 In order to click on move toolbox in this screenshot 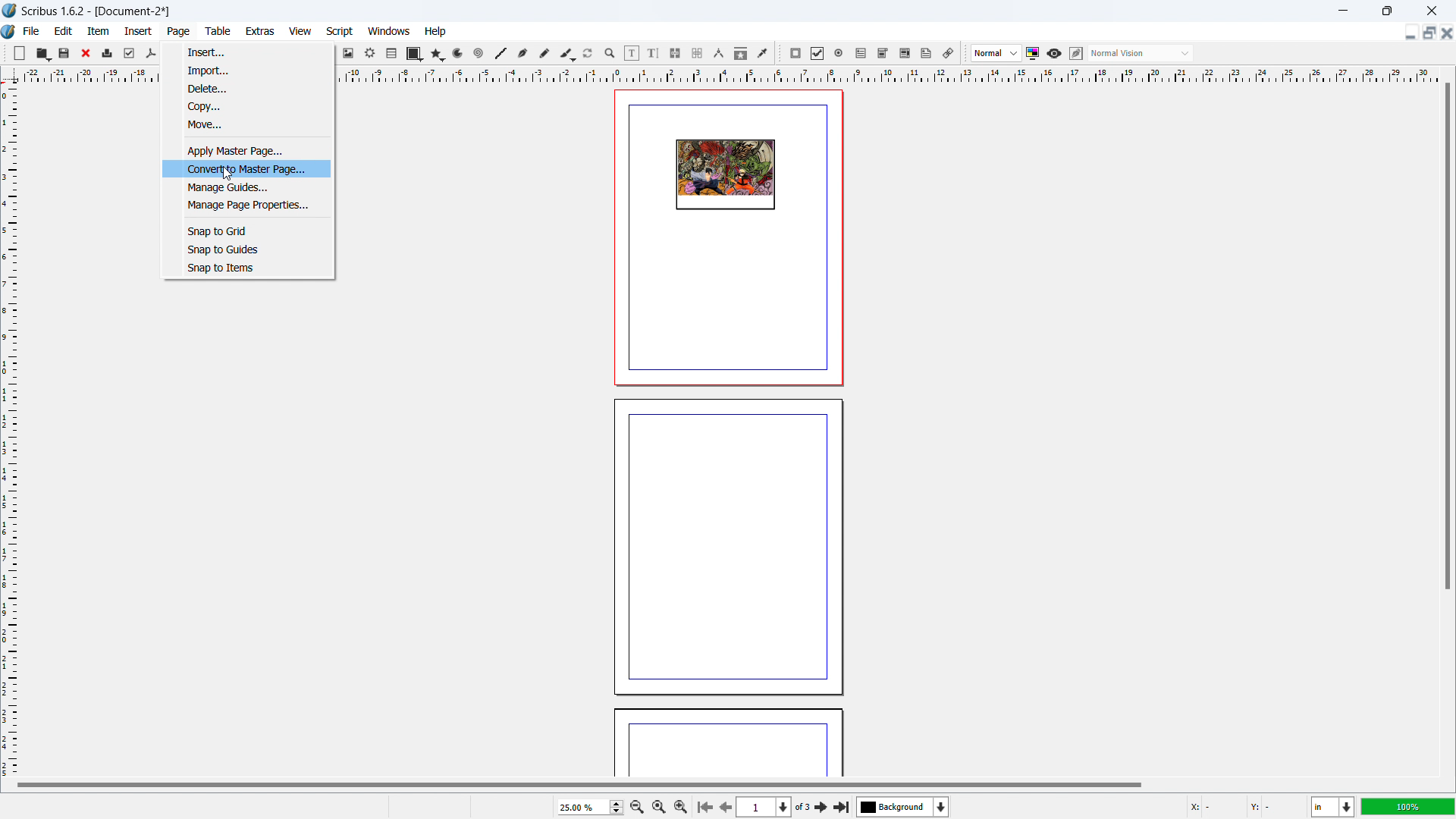, I will do `click(965, 54)`.